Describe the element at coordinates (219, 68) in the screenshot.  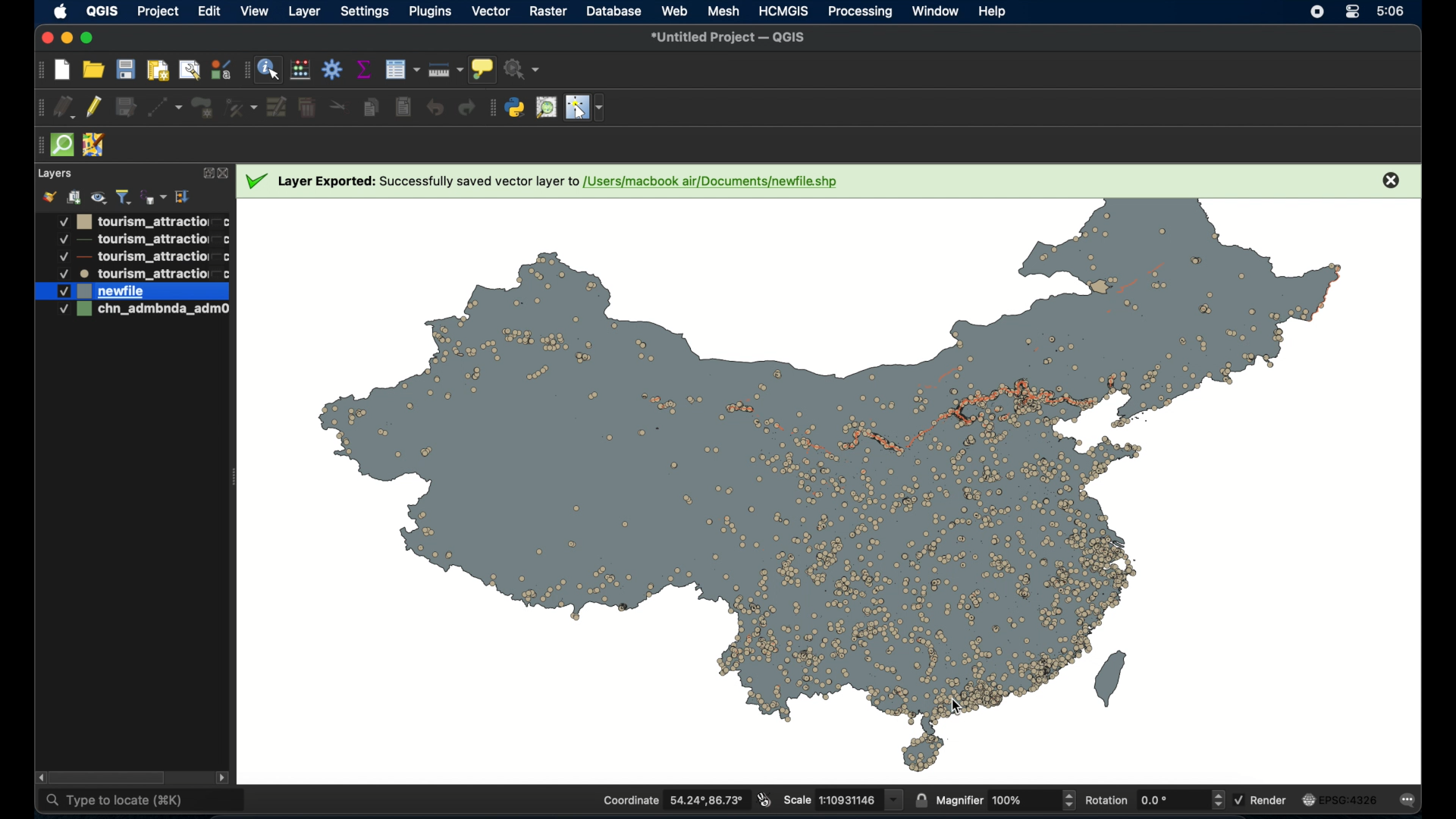
I see `style manager` at that location.